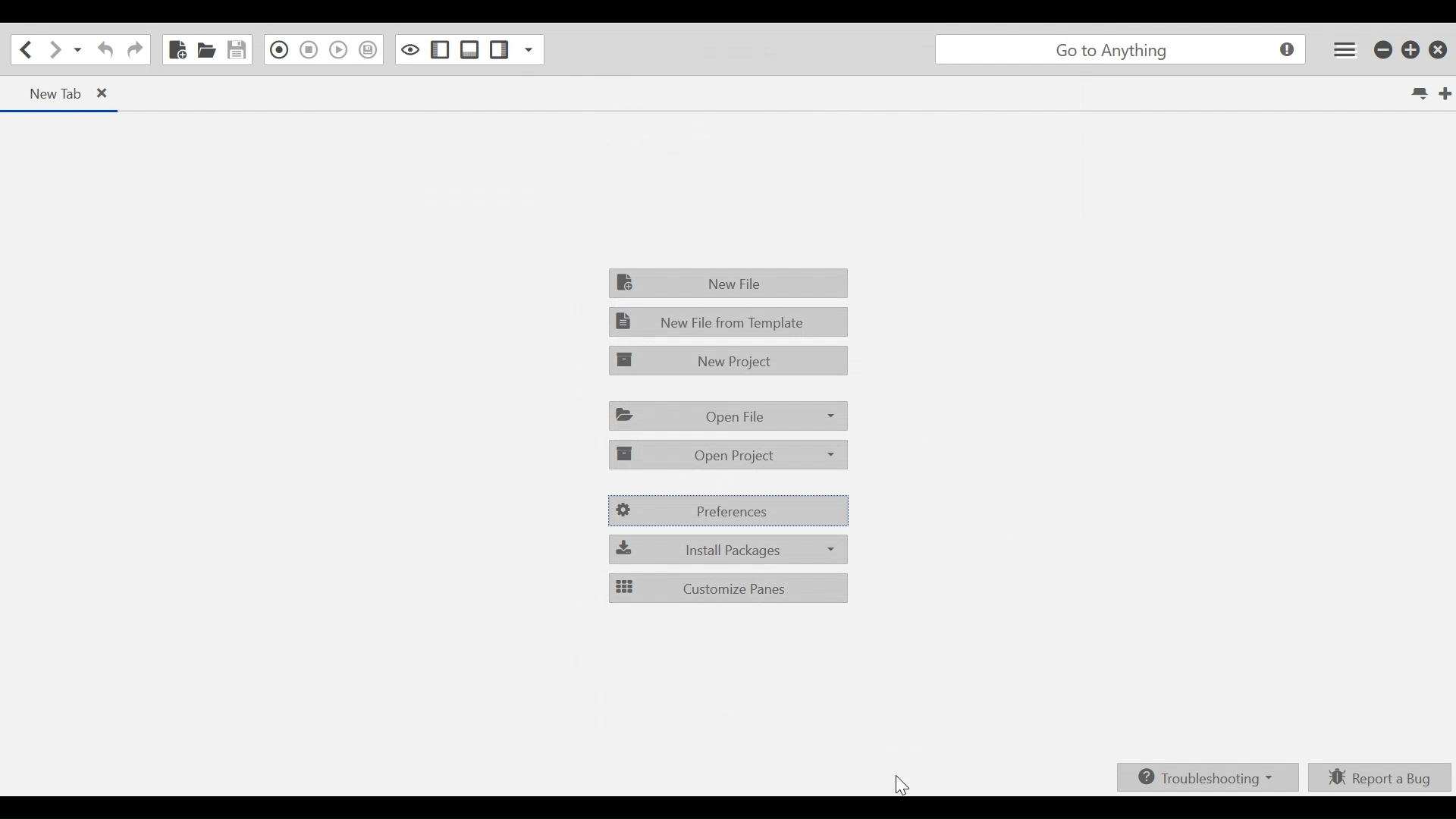  Describe the element at coordinates (105, 93) in the screenshot. I see `close` at that location.